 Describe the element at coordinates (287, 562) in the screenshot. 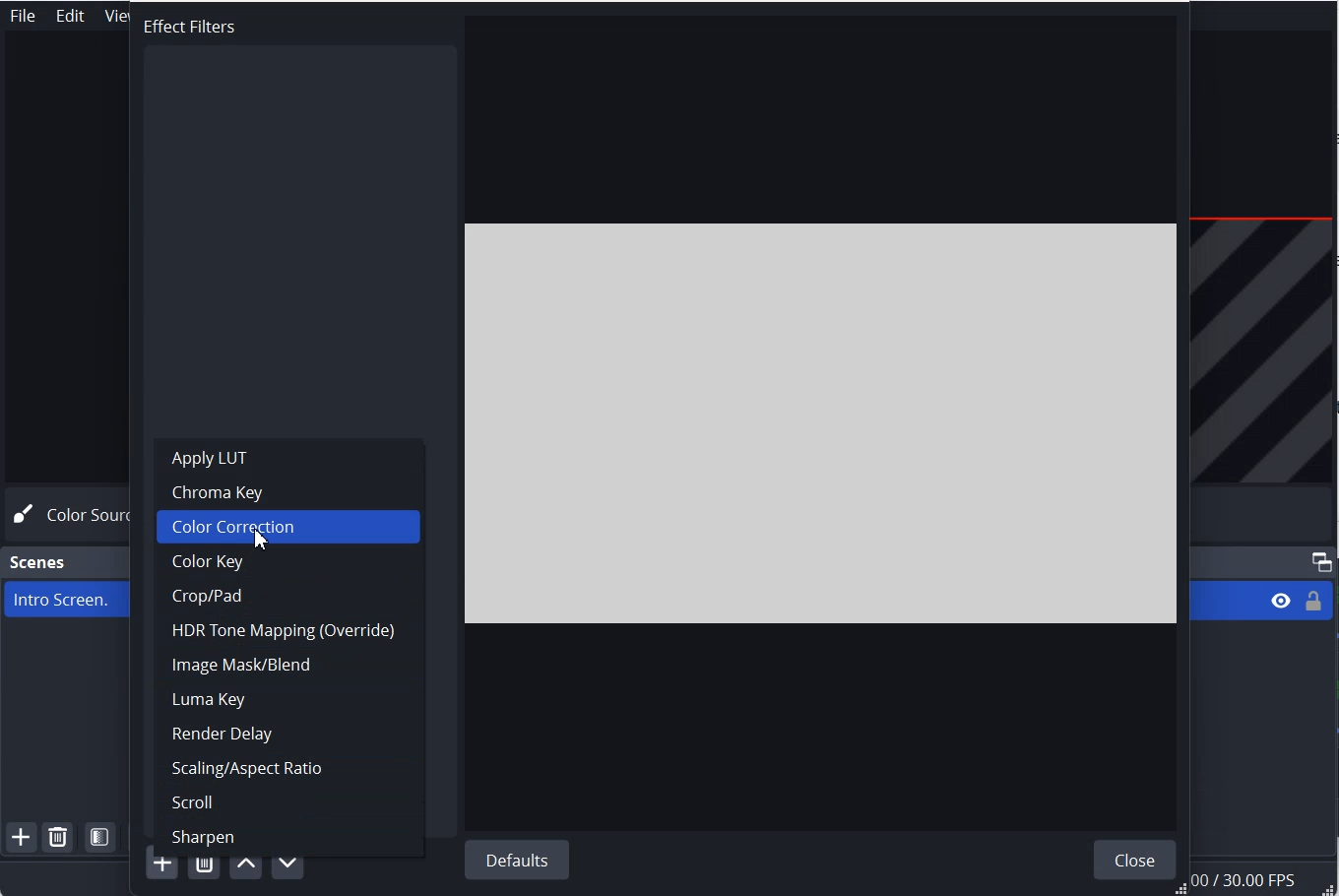

I see `Color Key` at that location.